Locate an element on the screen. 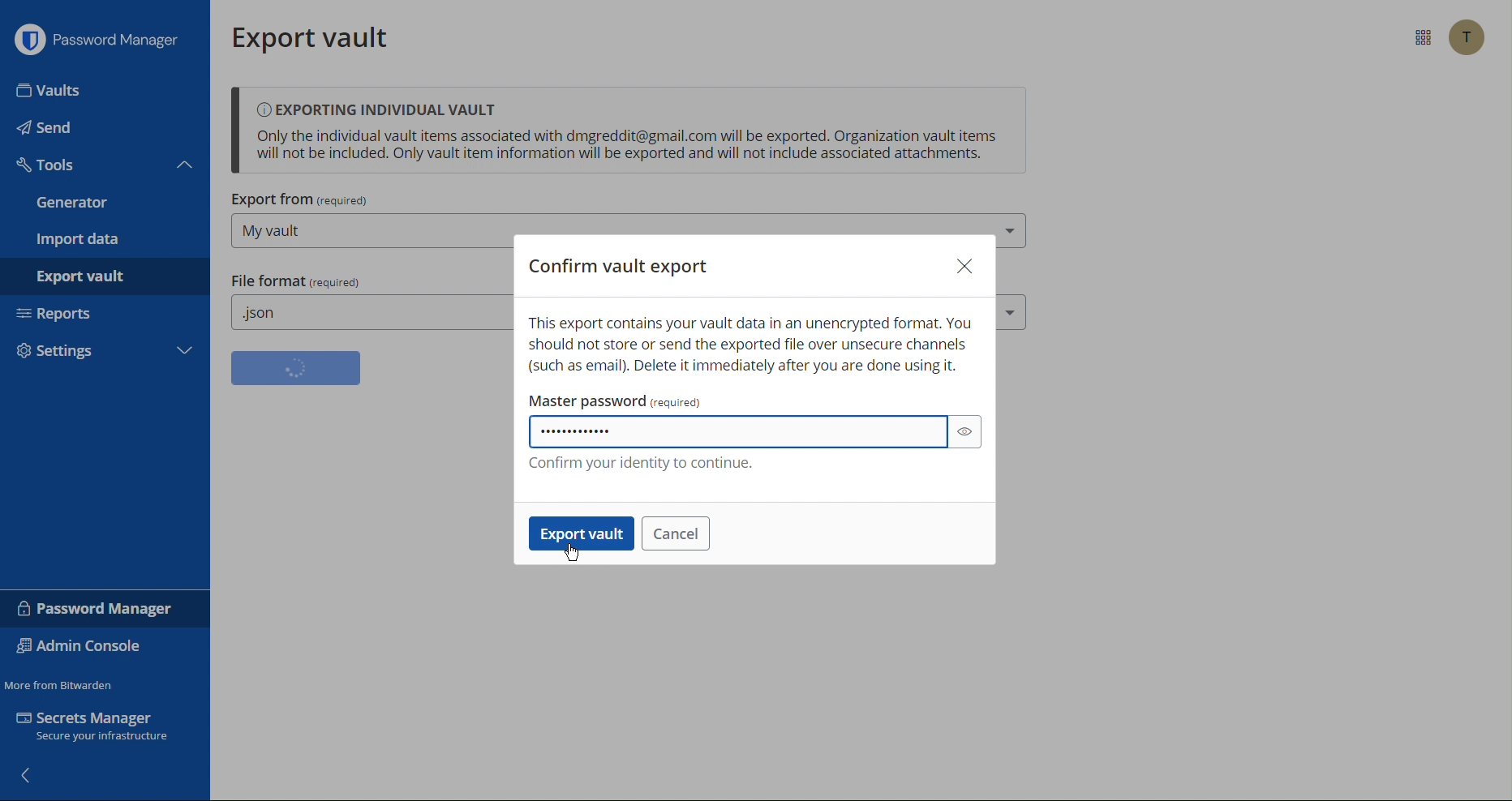 The image size is (1512, 801). Import data is located at coordinates (111, 240).